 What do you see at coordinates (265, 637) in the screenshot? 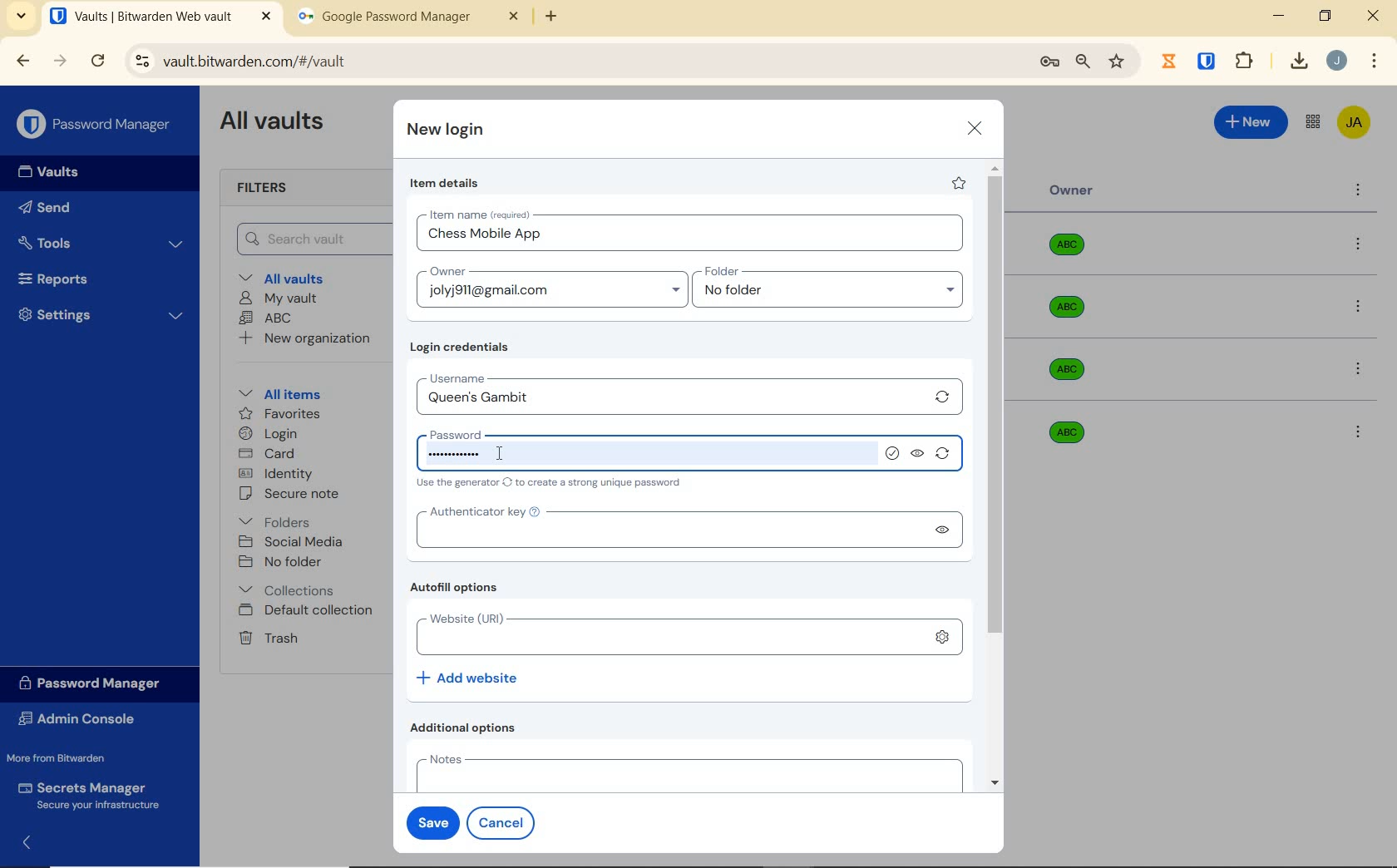
I see `Trash` at bounding box center [265, 637].